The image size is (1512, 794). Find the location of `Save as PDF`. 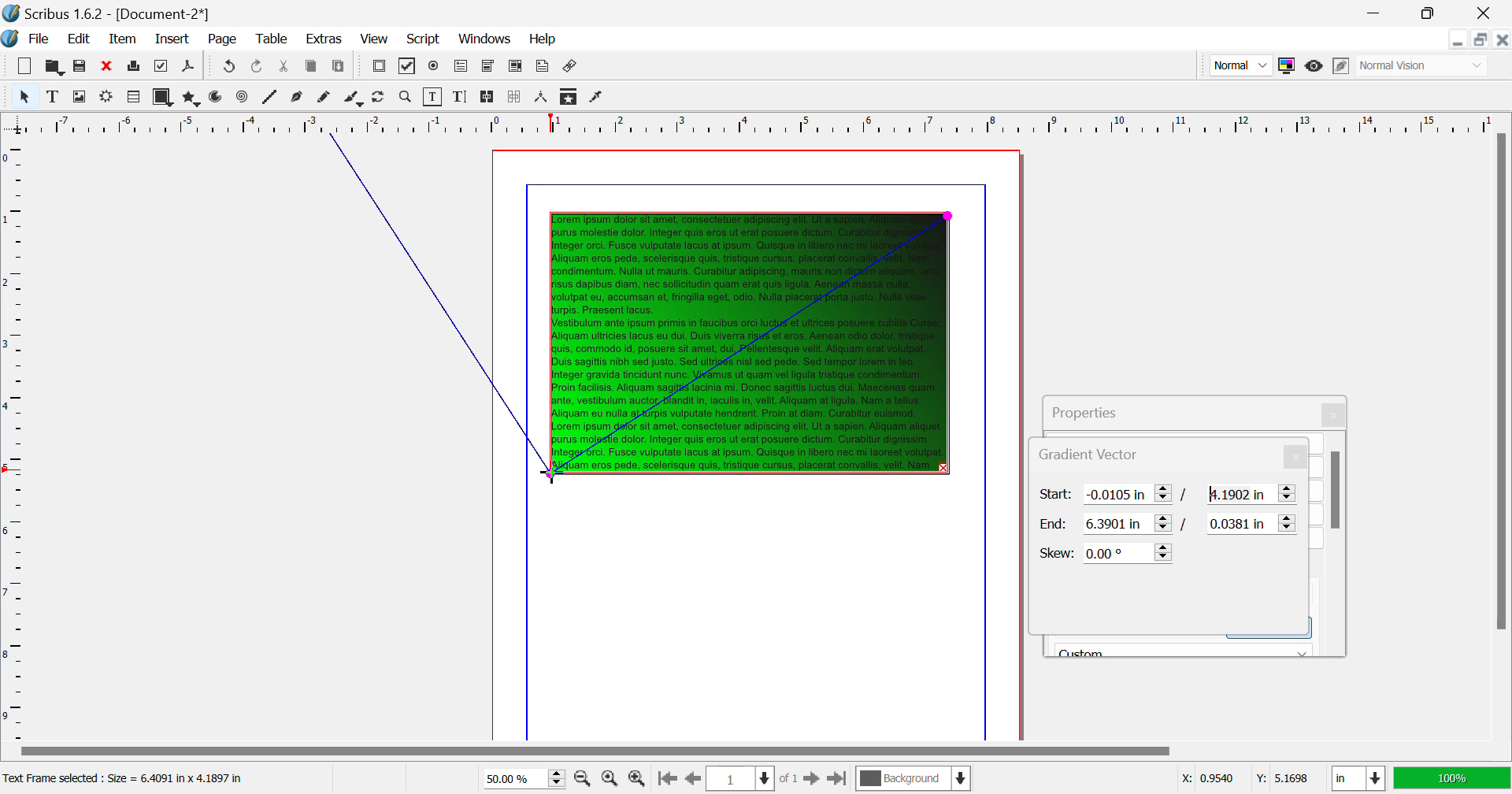

Save as PDF is located at coordinates (189, 68).